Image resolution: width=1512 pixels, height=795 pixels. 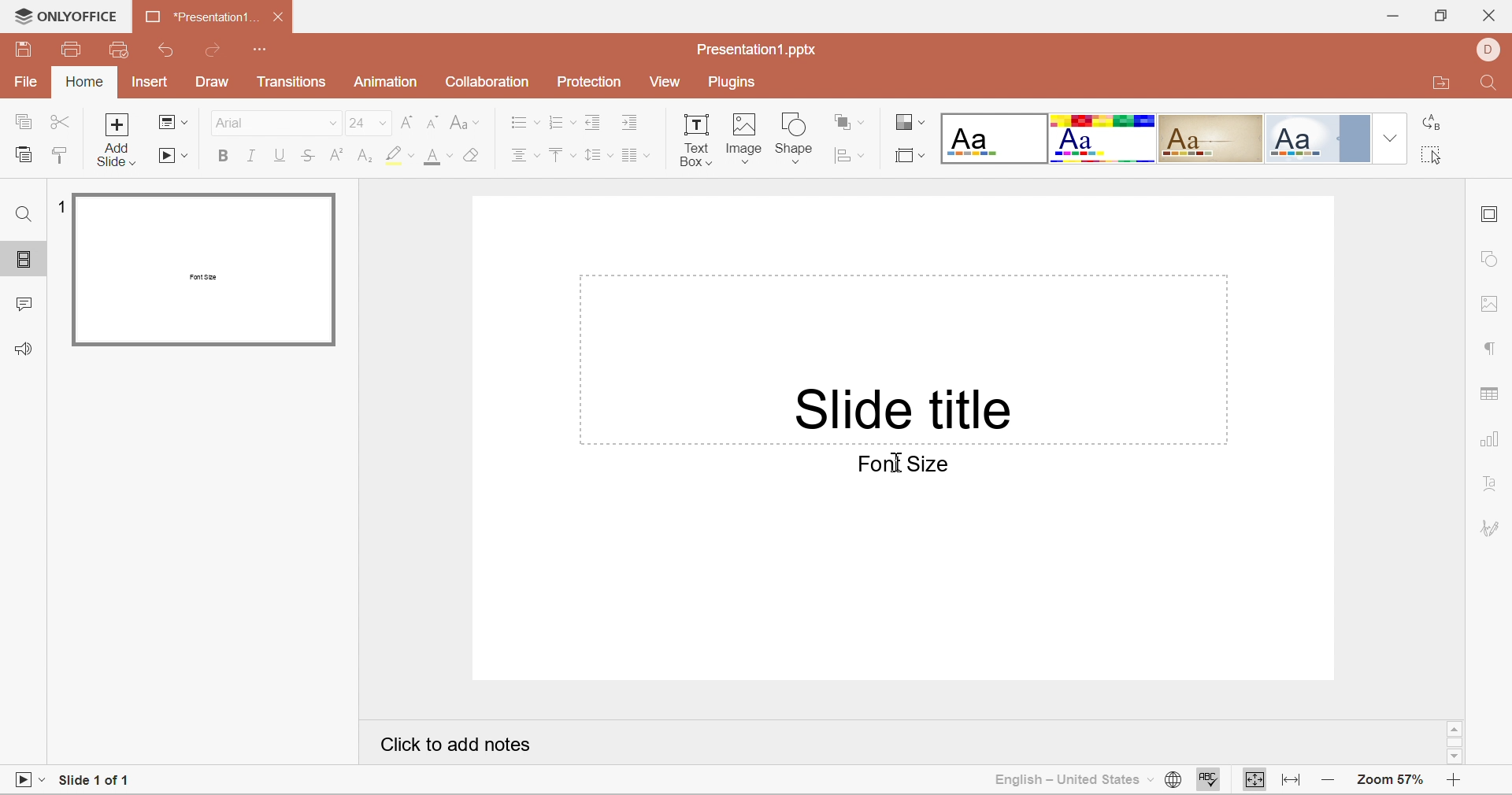 I want to click on Print, so click(x=72, y=50).